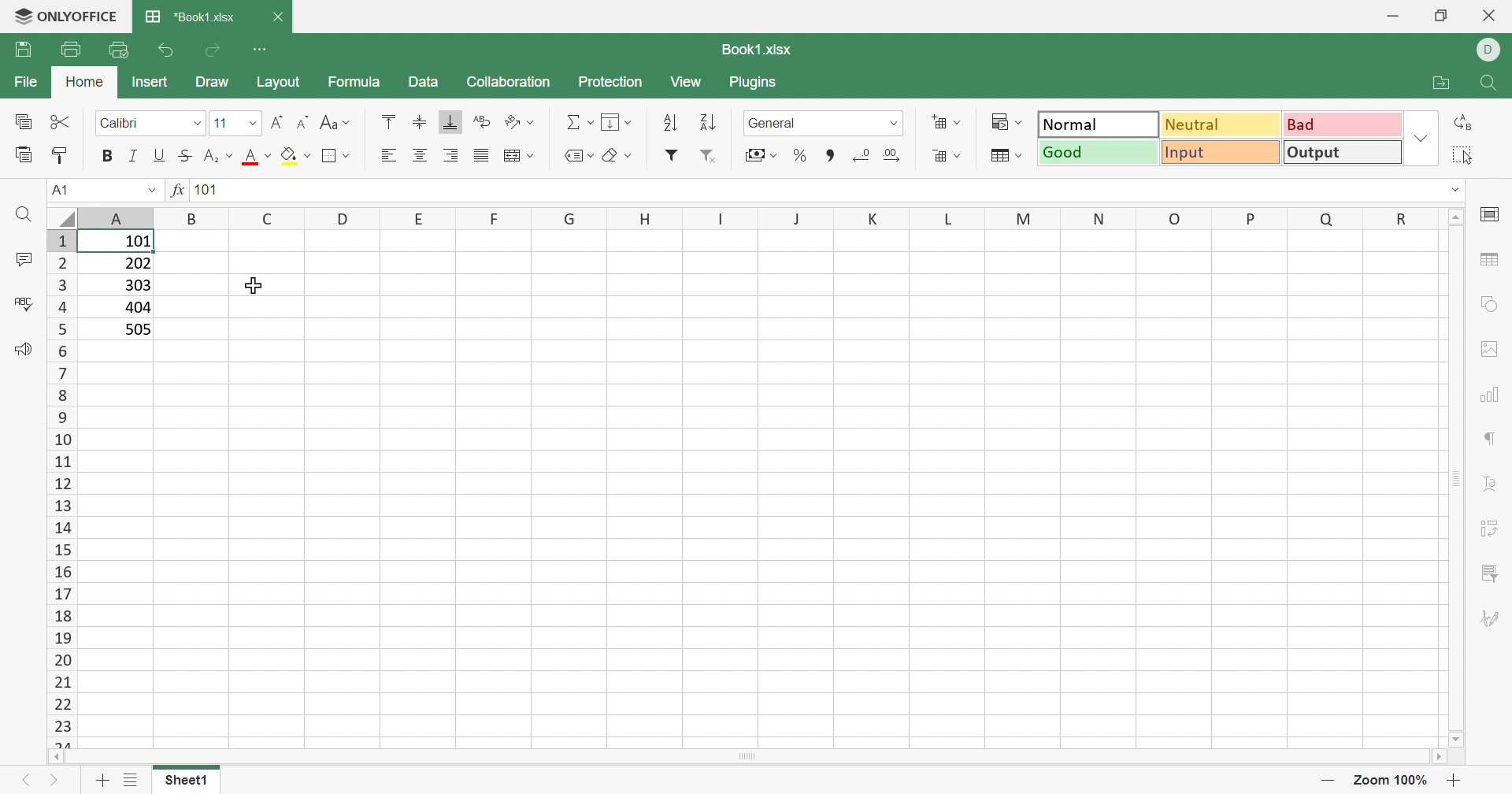 The width and height of the screenshot is (1512, 794). What do you see at coordinates (250, 122) in the screenshot?
I see `Drop Down` at bounding box center [250, 122].